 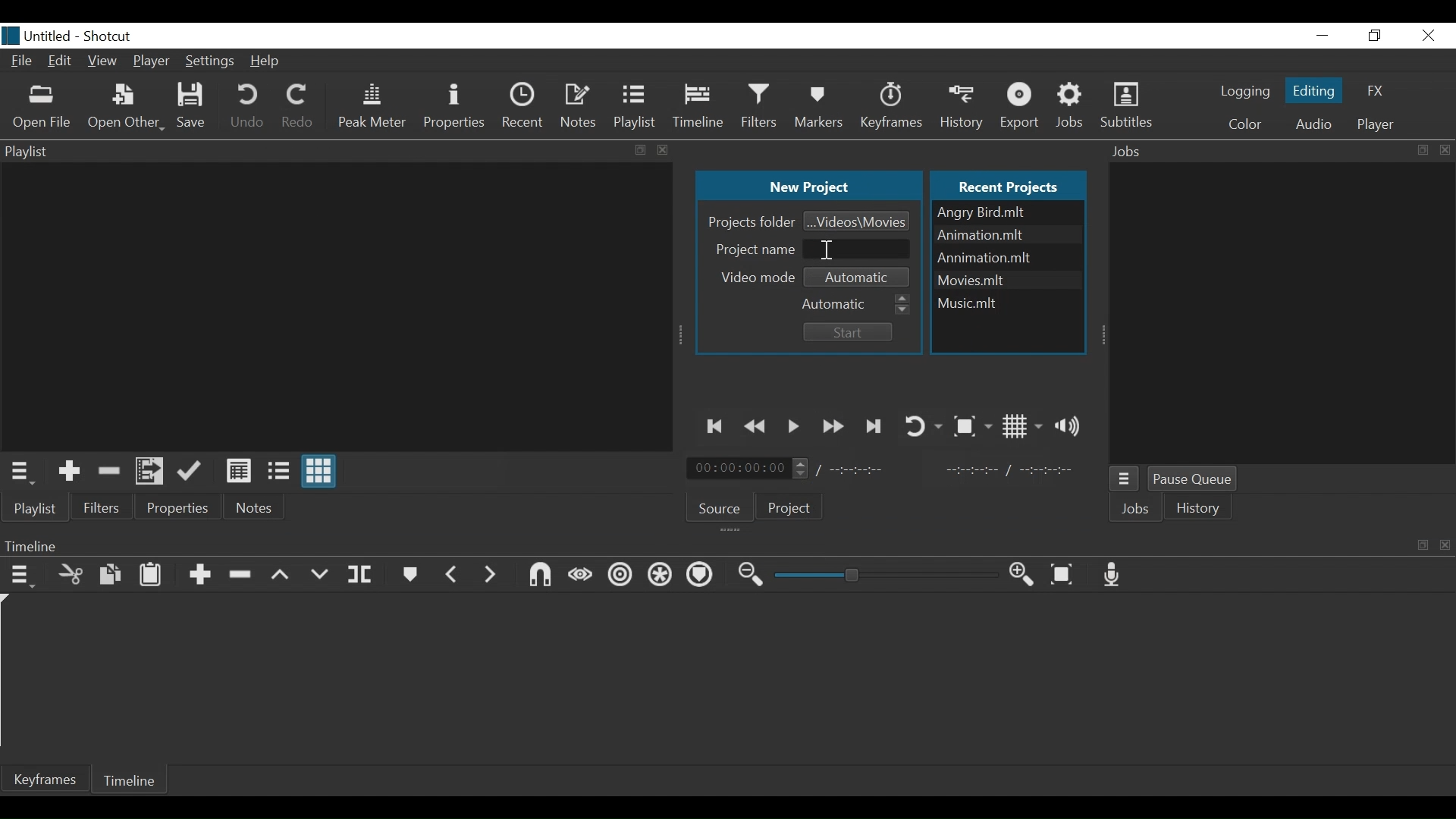 What do you see at coordinates (758, 427) in the screenshot?
I see `Play backwards quickly` at bounding box center [758, 427].